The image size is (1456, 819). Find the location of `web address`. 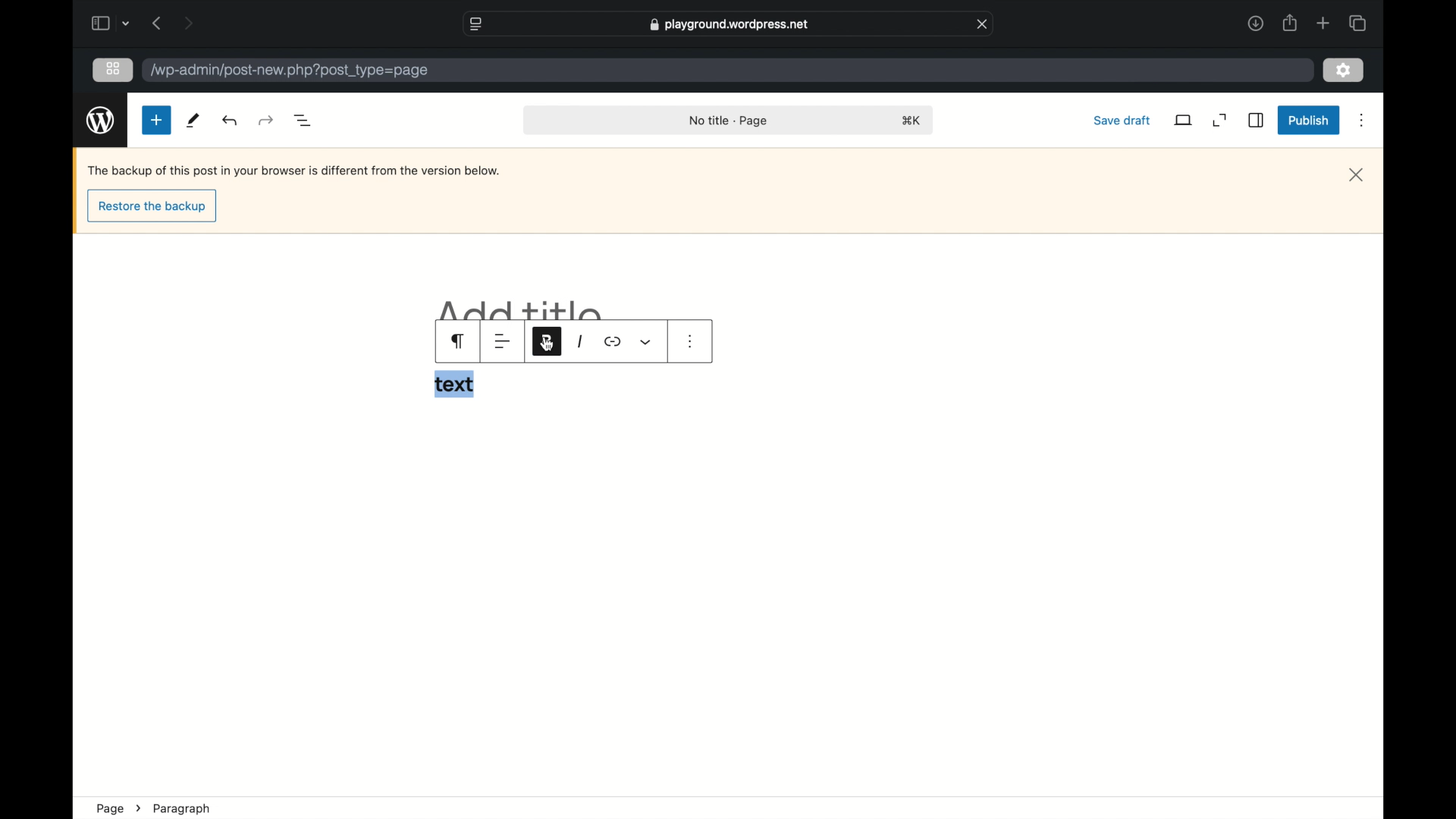

web address is located at coordinates (729, 25).